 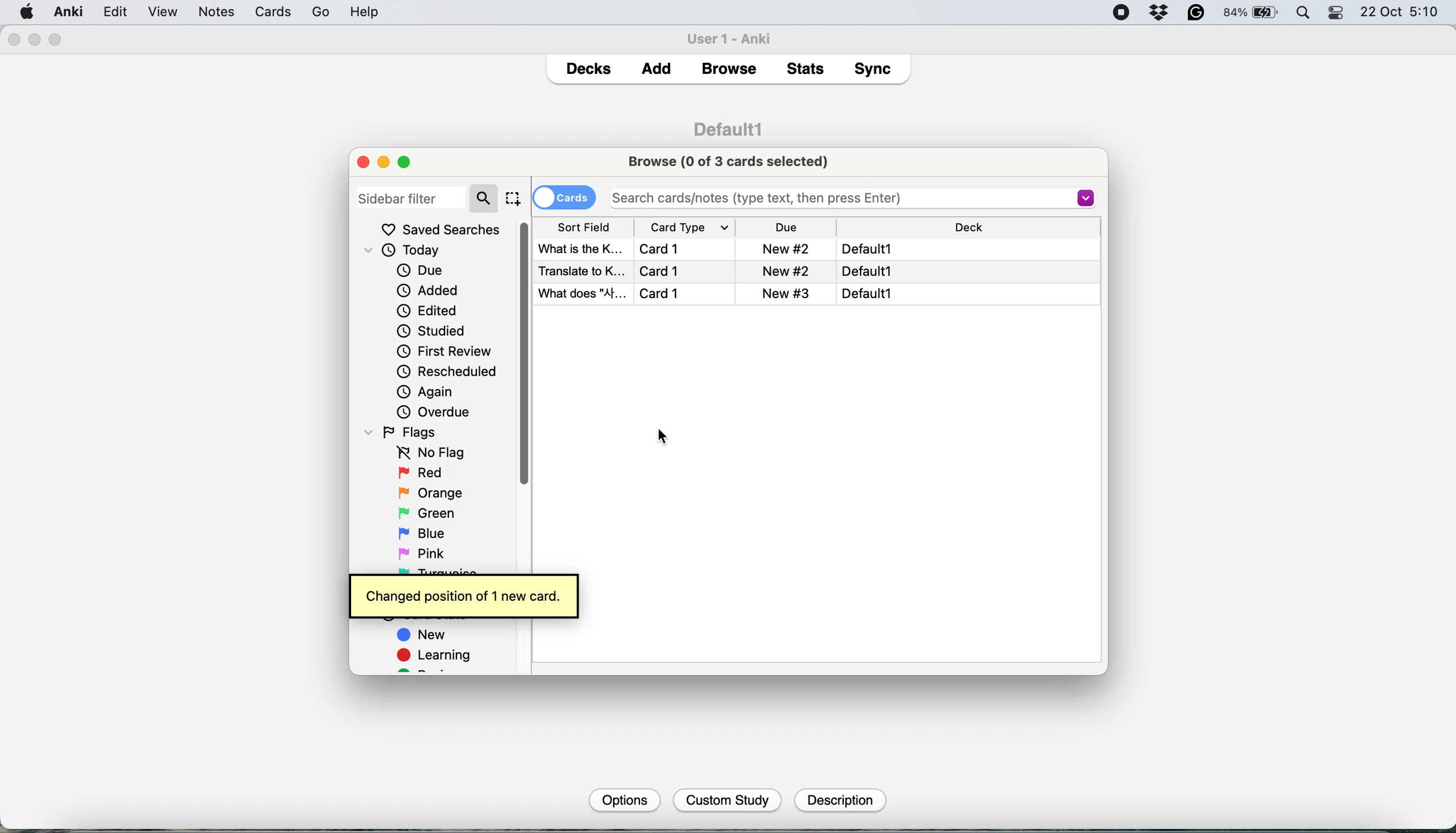 What do you see at coordinates (788, 270) in the screenshot?
I see `New #2` at bounding box center [788, 270].